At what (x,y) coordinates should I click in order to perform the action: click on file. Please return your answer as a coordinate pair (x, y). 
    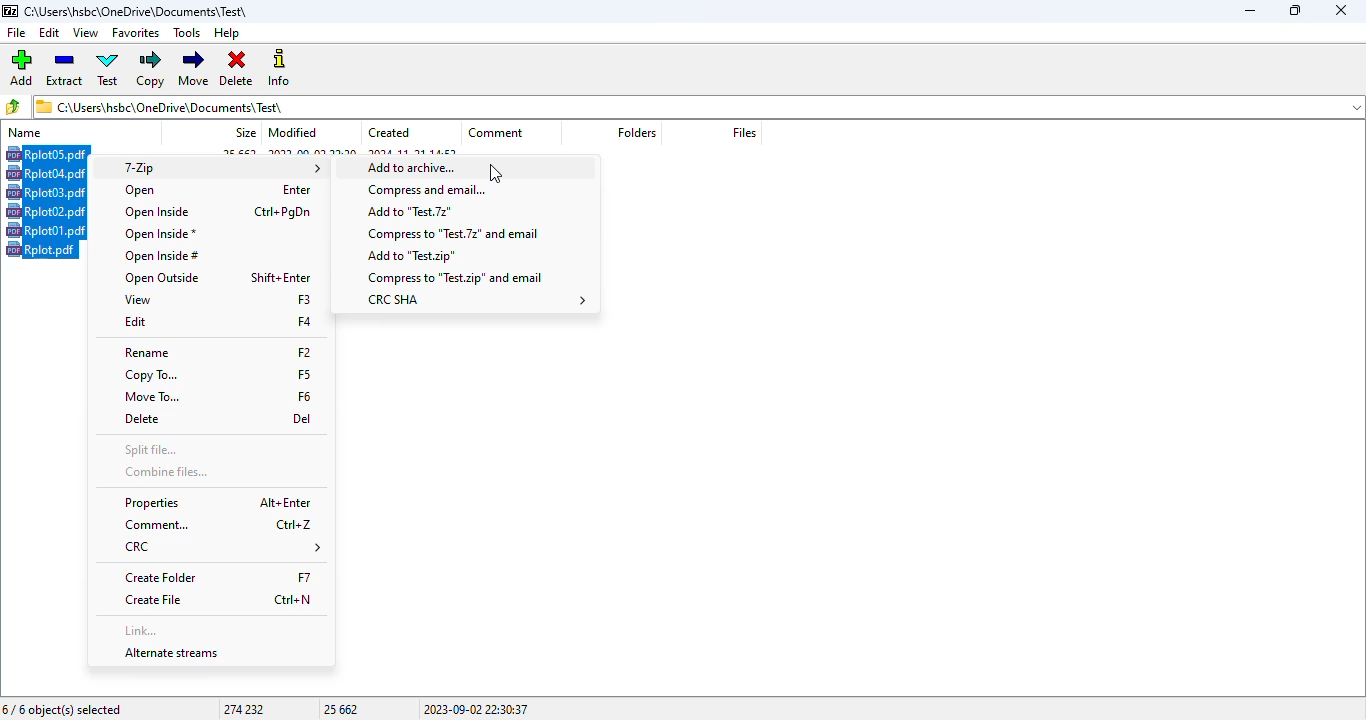
    Looking at the image, I should click on (15, 33).